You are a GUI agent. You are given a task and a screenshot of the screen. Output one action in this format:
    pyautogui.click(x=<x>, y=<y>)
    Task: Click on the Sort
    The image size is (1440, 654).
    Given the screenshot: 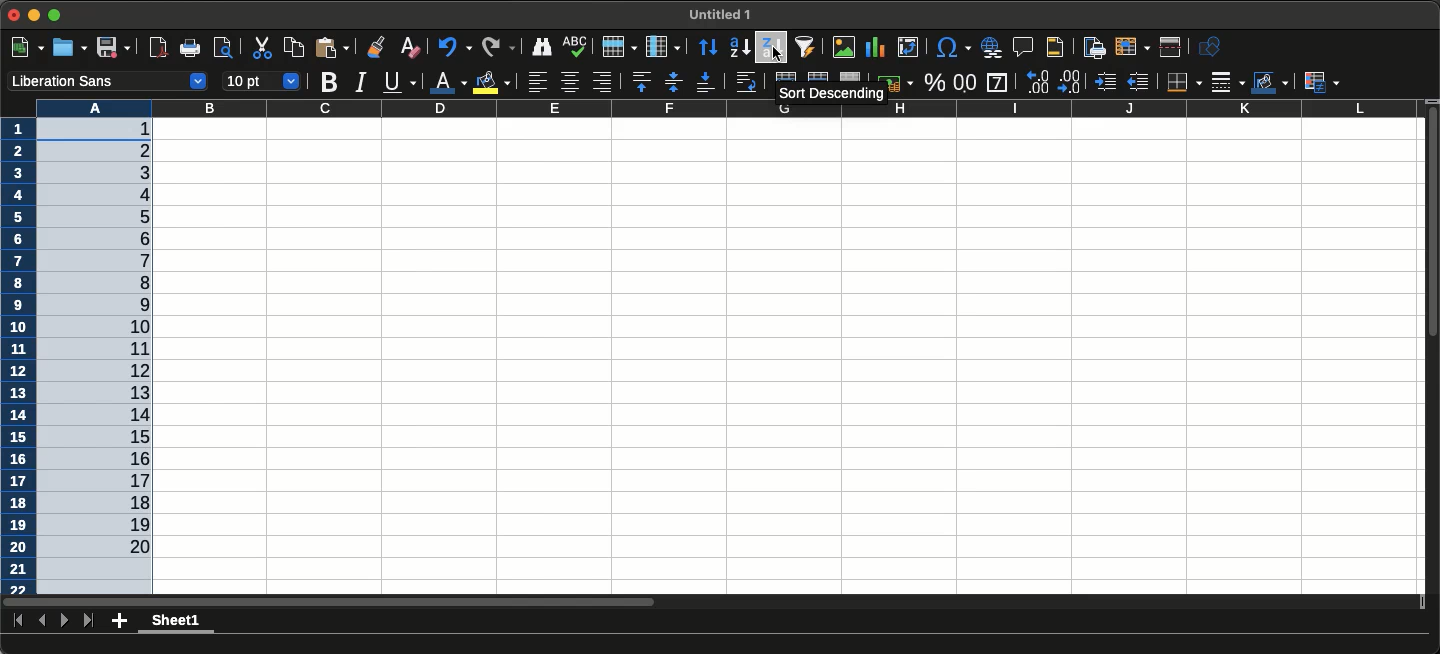 What is the action you would take?
    pyautogui.click(x=704, y=48)
    